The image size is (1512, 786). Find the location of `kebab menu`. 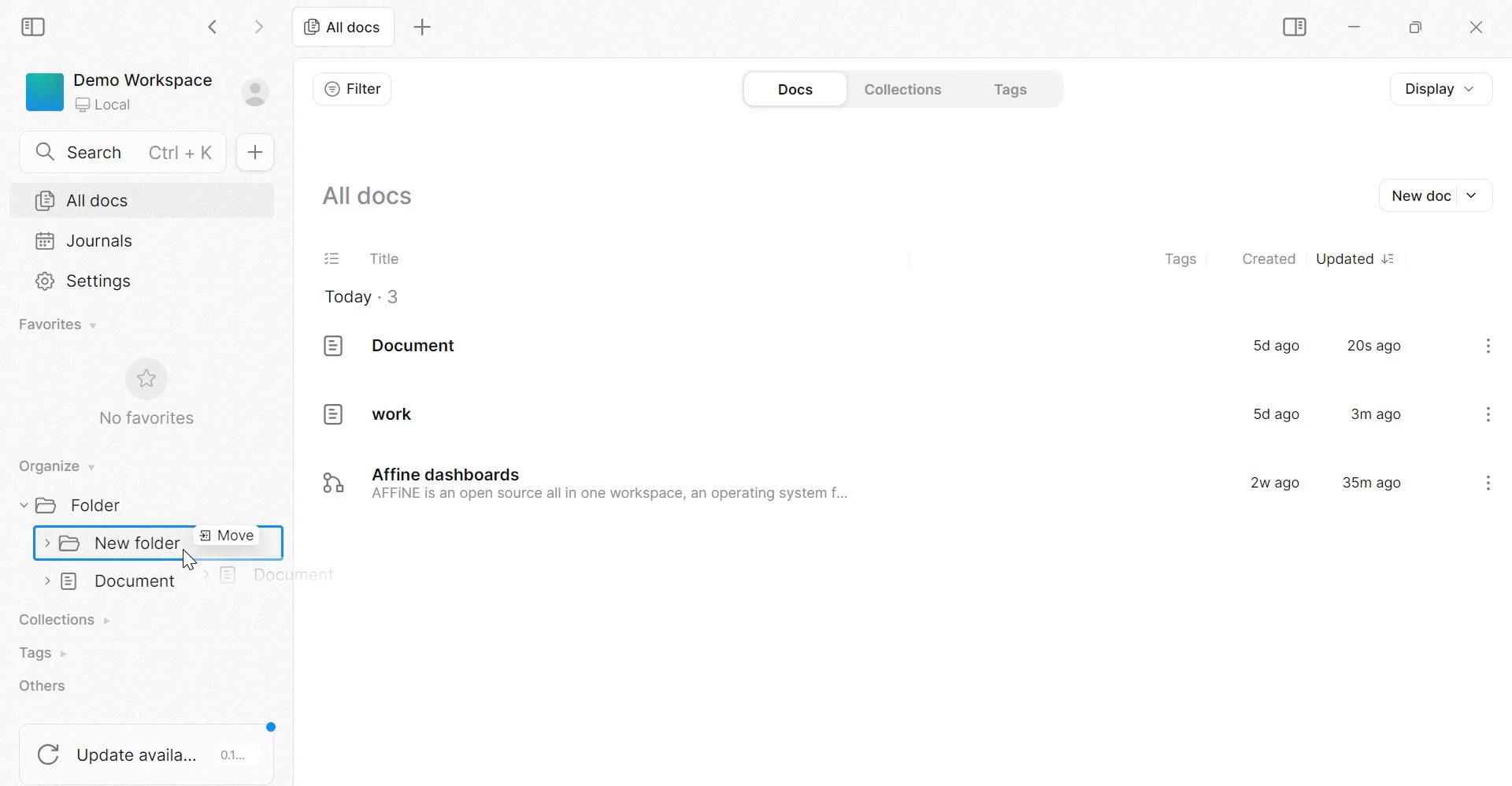

kebab menu is located at coordinates (1490, 413).